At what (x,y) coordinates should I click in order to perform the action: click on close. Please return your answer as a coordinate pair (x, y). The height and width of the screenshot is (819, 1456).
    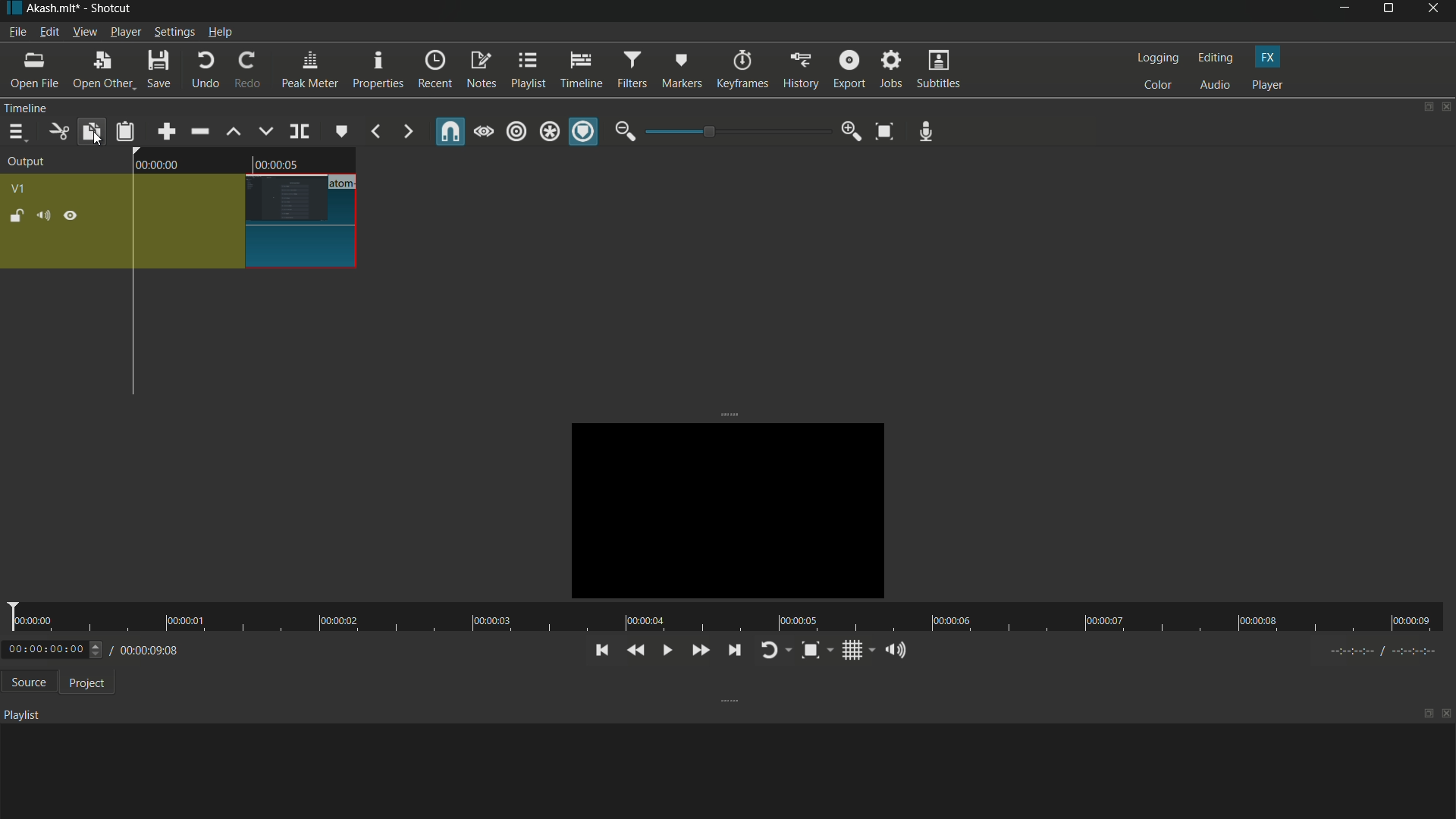
    Looking at the image, I should click on (1447, 716).